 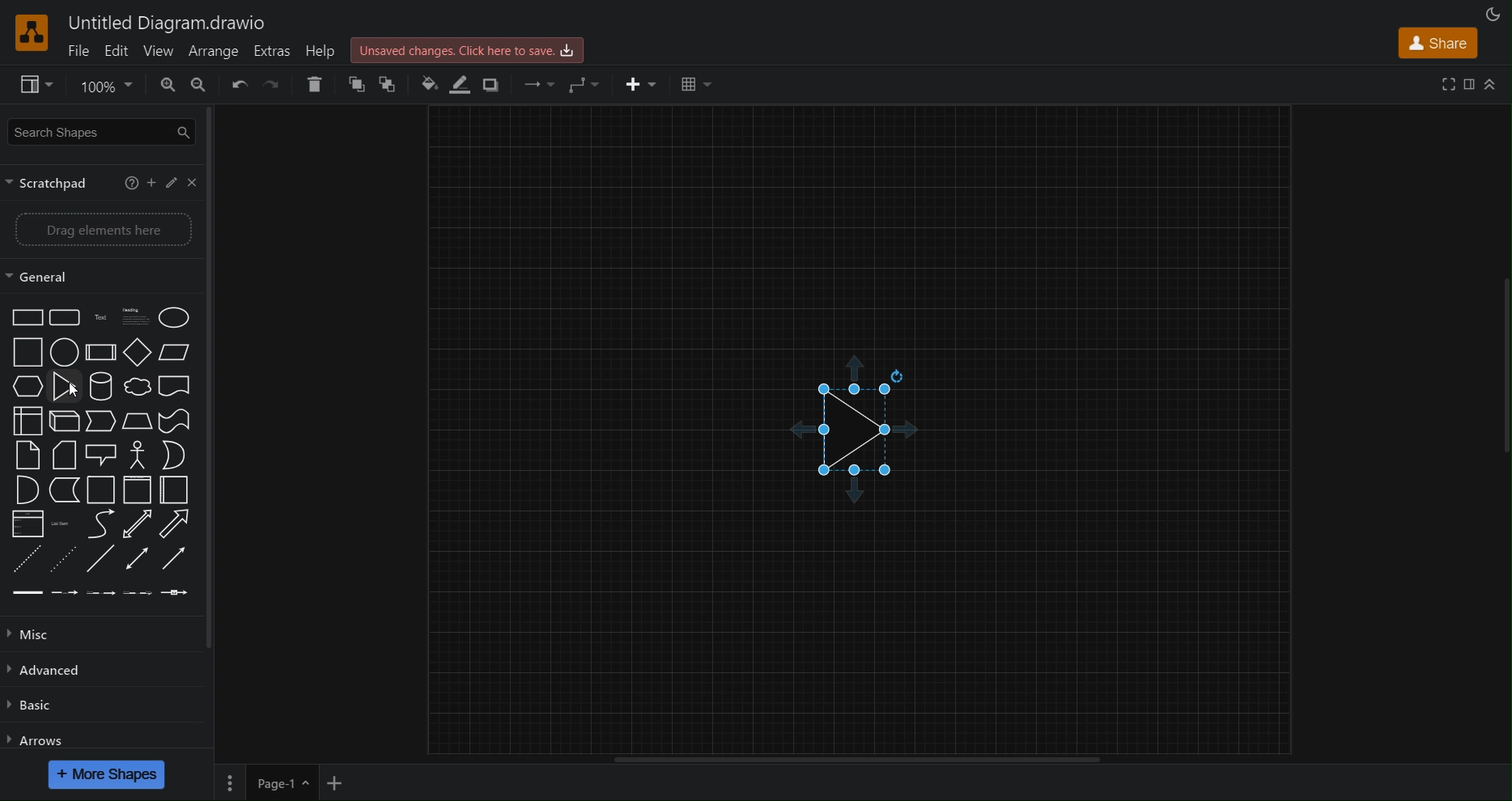 I want to click on Misc, so click(x=40, y=637).